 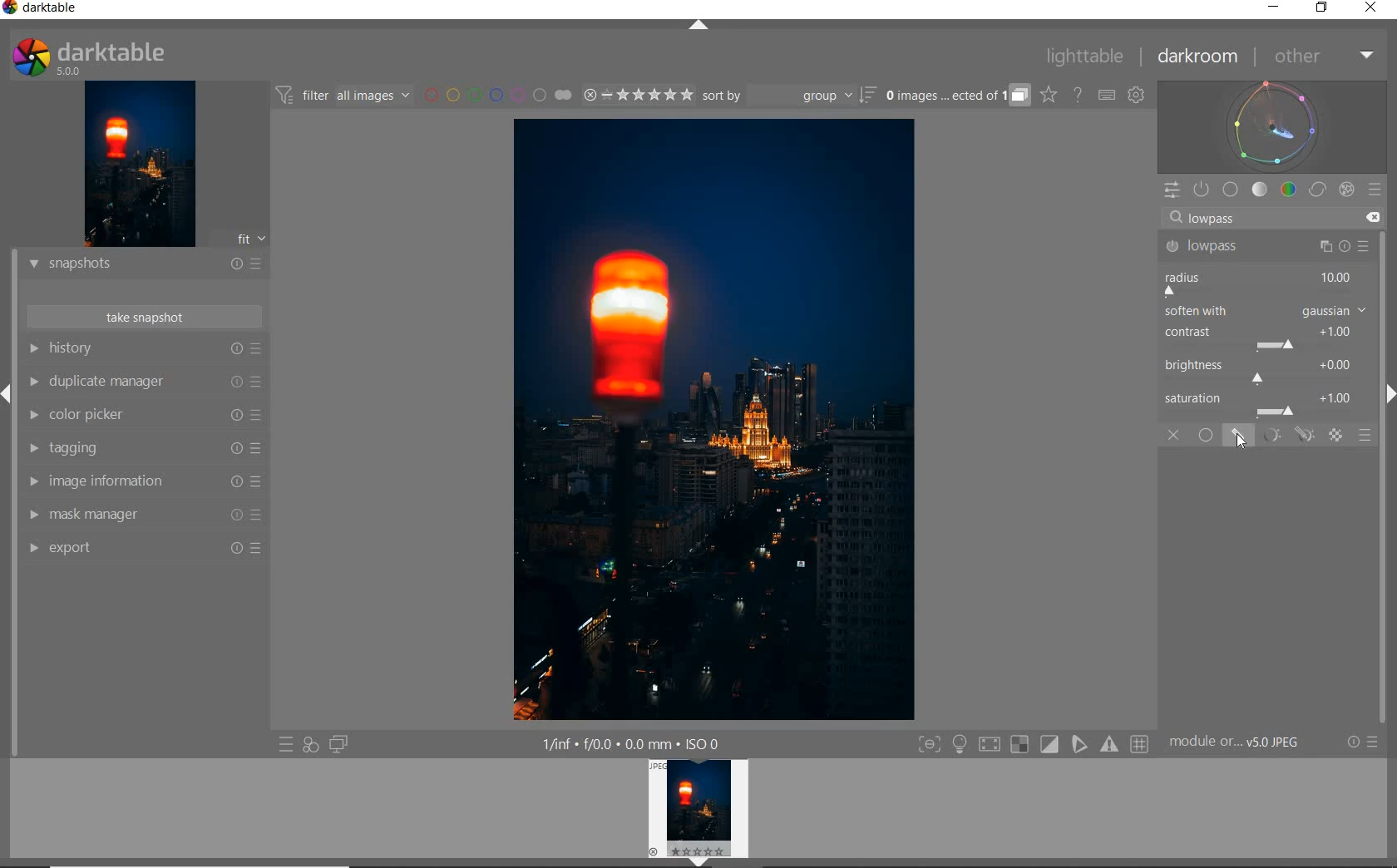 What do you see at coordinates (1207, 436) in the screenshot?
I see `UNIFORMLY` at bounding box center [1207, 436].